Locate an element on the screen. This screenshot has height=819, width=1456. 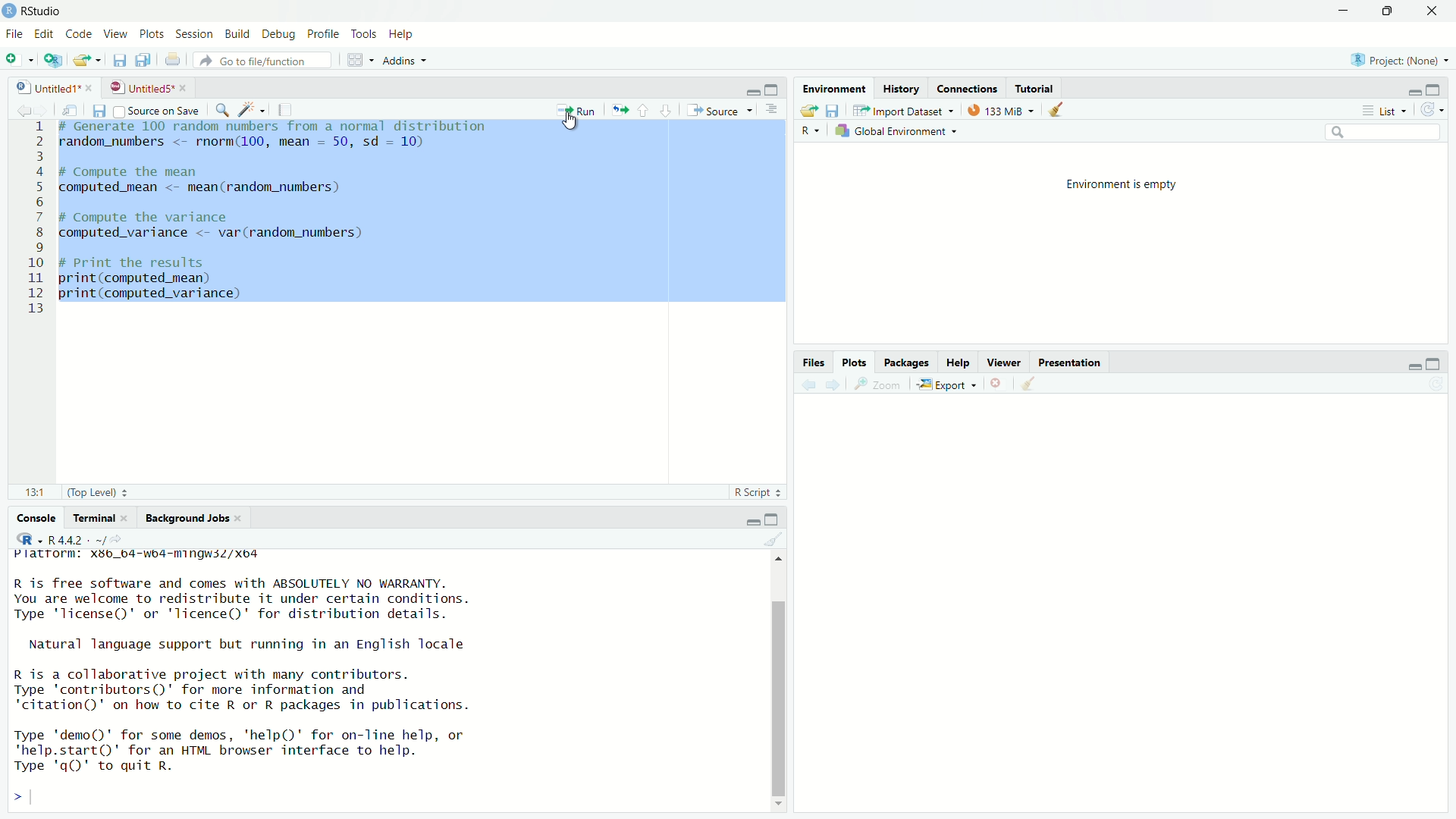
terminal is located at coordinates (90, 516).